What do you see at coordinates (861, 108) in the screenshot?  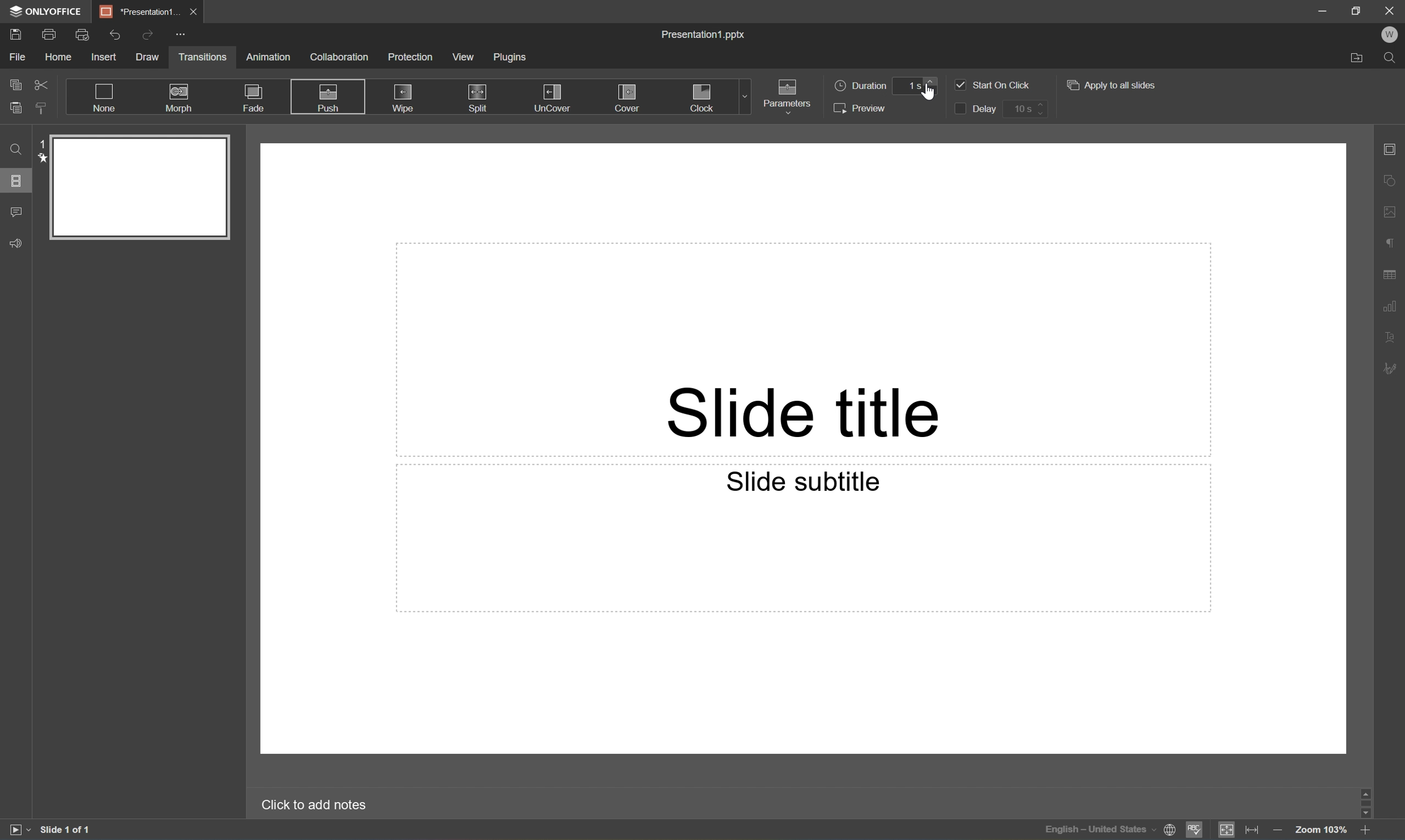 I see `Preview` at bounding box center [861, 108].